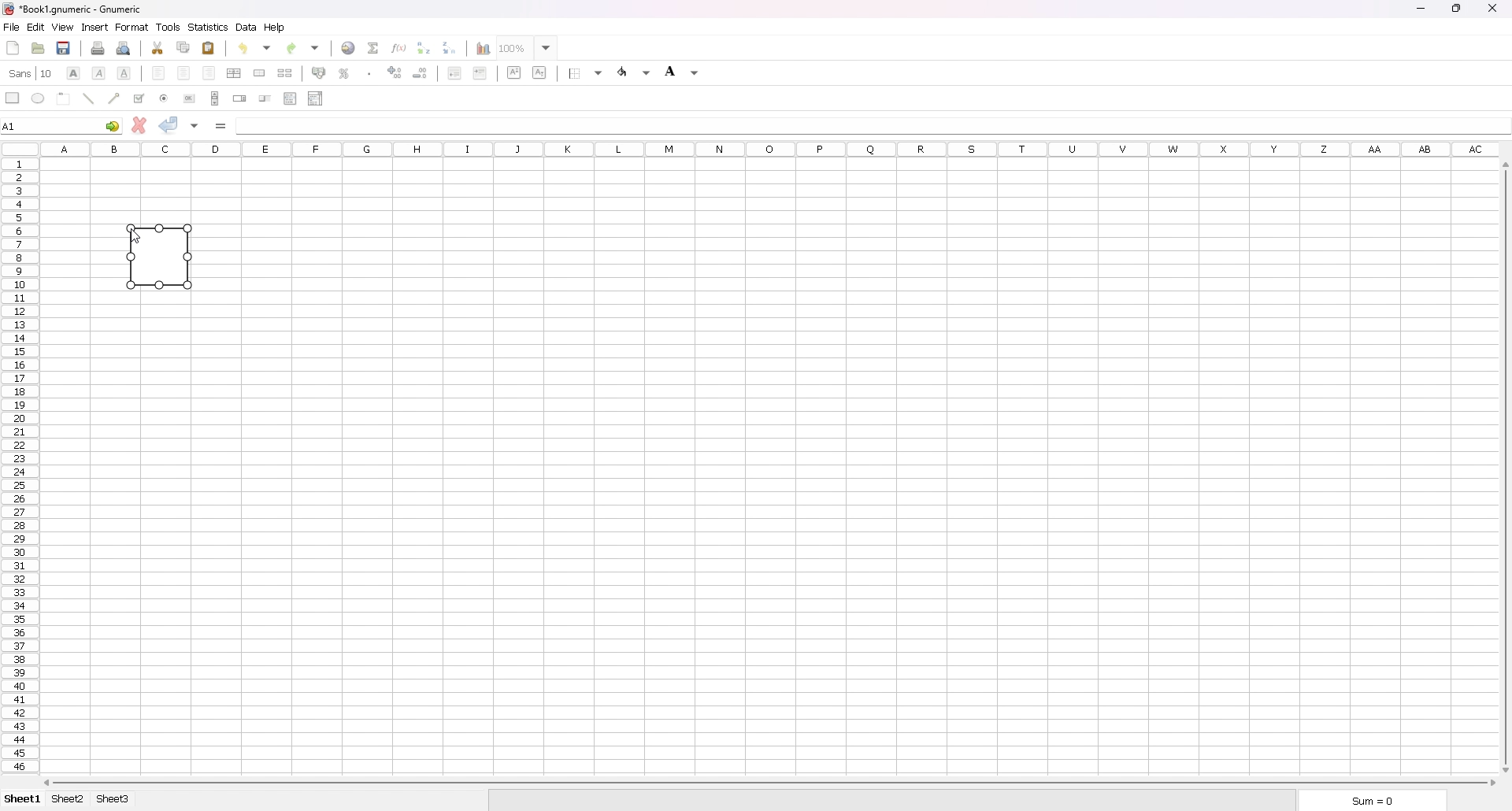 This screenshot has height=811, width=1512. I want to click on cut, so click(158, 48).